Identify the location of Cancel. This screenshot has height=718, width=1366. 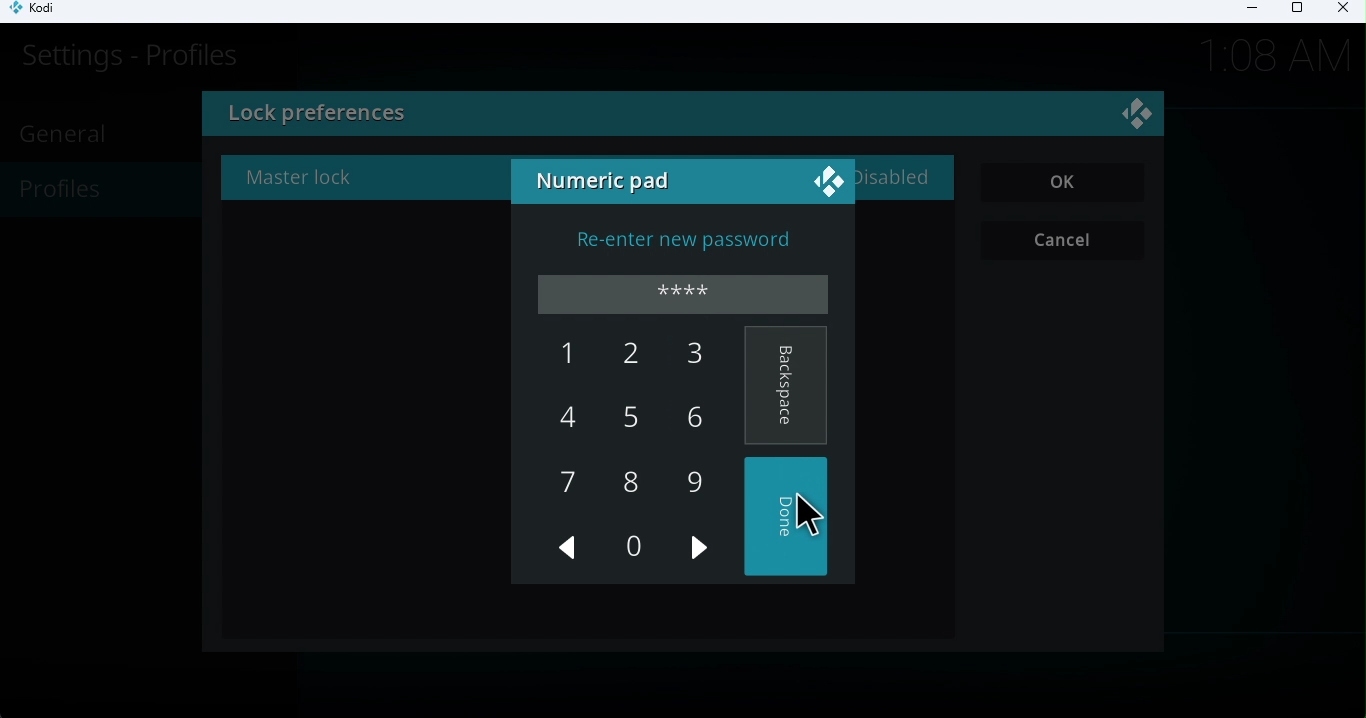
(1066, 241).